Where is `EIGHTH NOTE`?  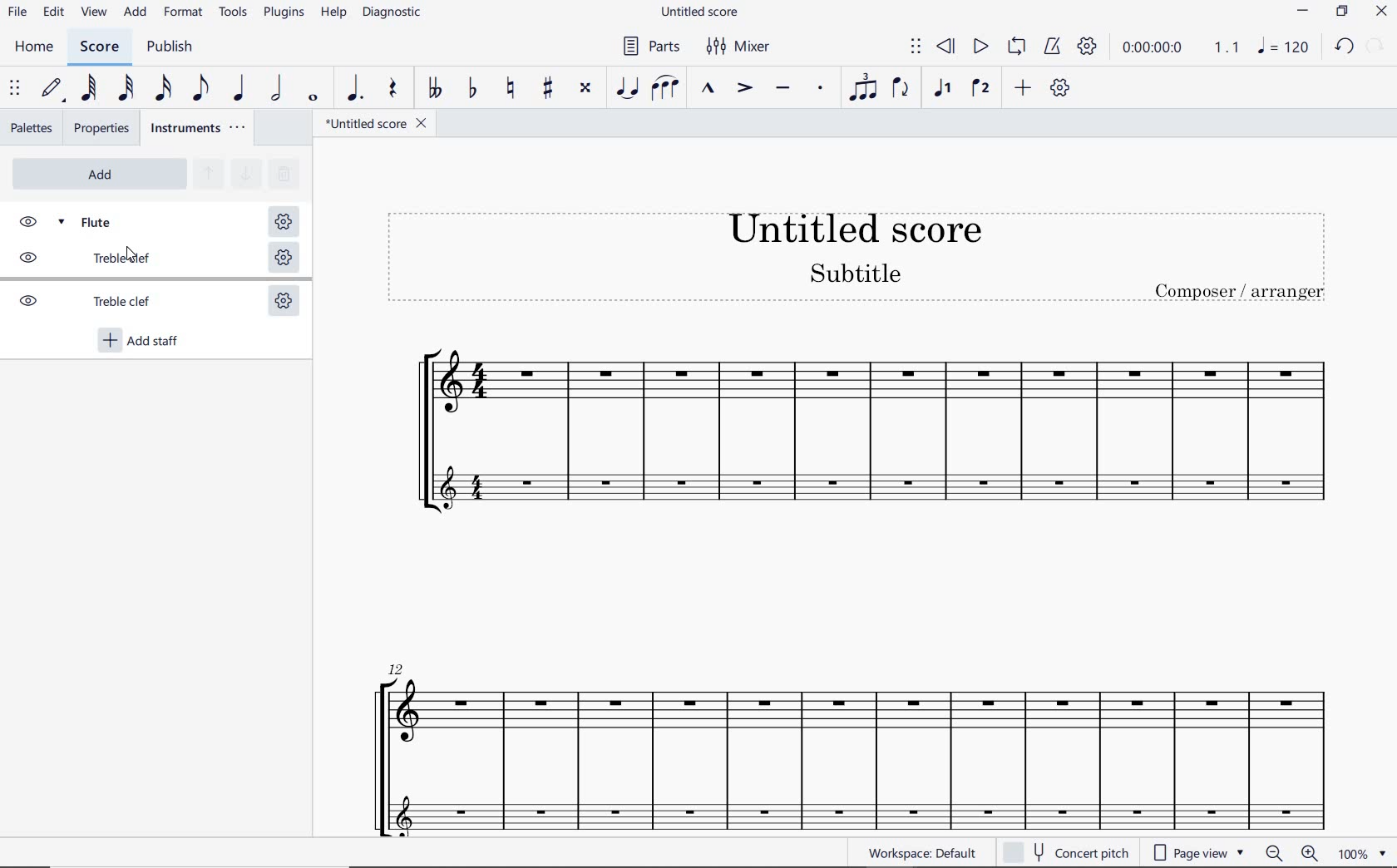 EIGHTH NOTE is located at coordinates (201, 89).